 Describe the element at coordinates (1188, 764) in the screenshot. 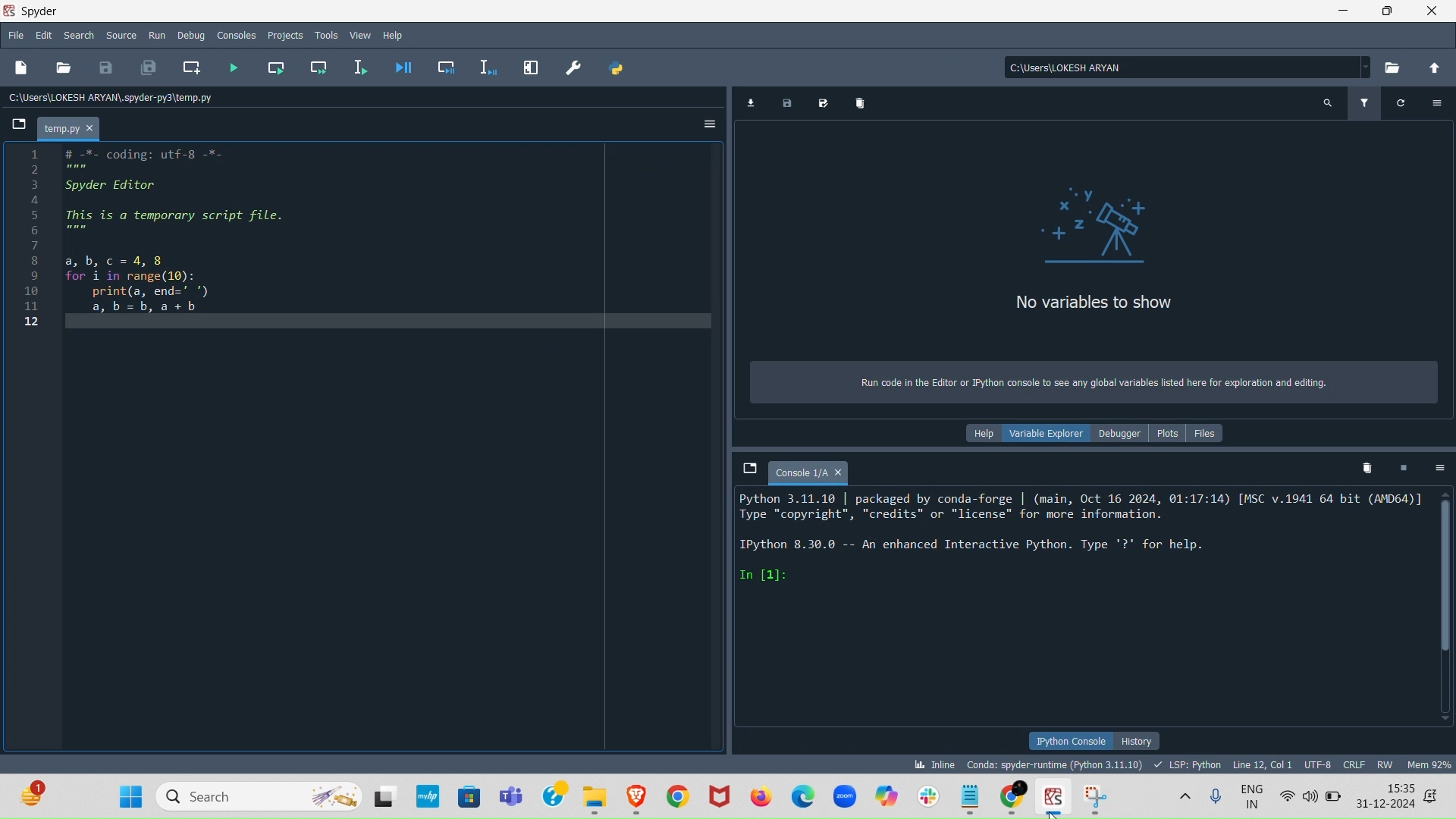

I see `Completions, linting, code folding and symbols status` at that location.